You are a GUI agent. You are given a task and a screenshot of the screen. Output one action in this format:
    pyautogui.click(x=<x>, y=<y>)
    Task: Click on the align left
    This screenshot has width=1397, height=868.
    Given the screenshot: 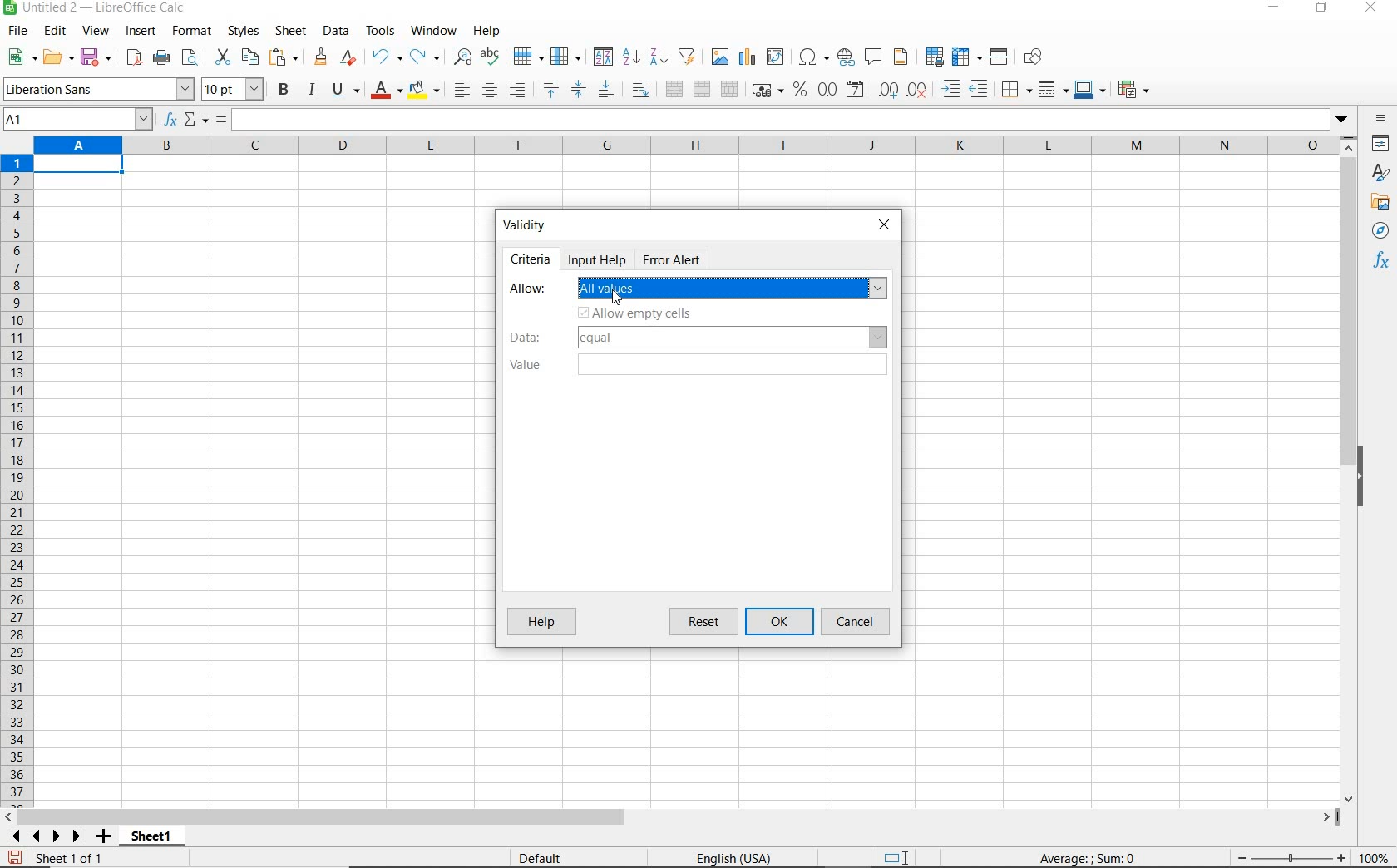 What is the action you would take?
    pyautogui.click(x=461, y=91)
    